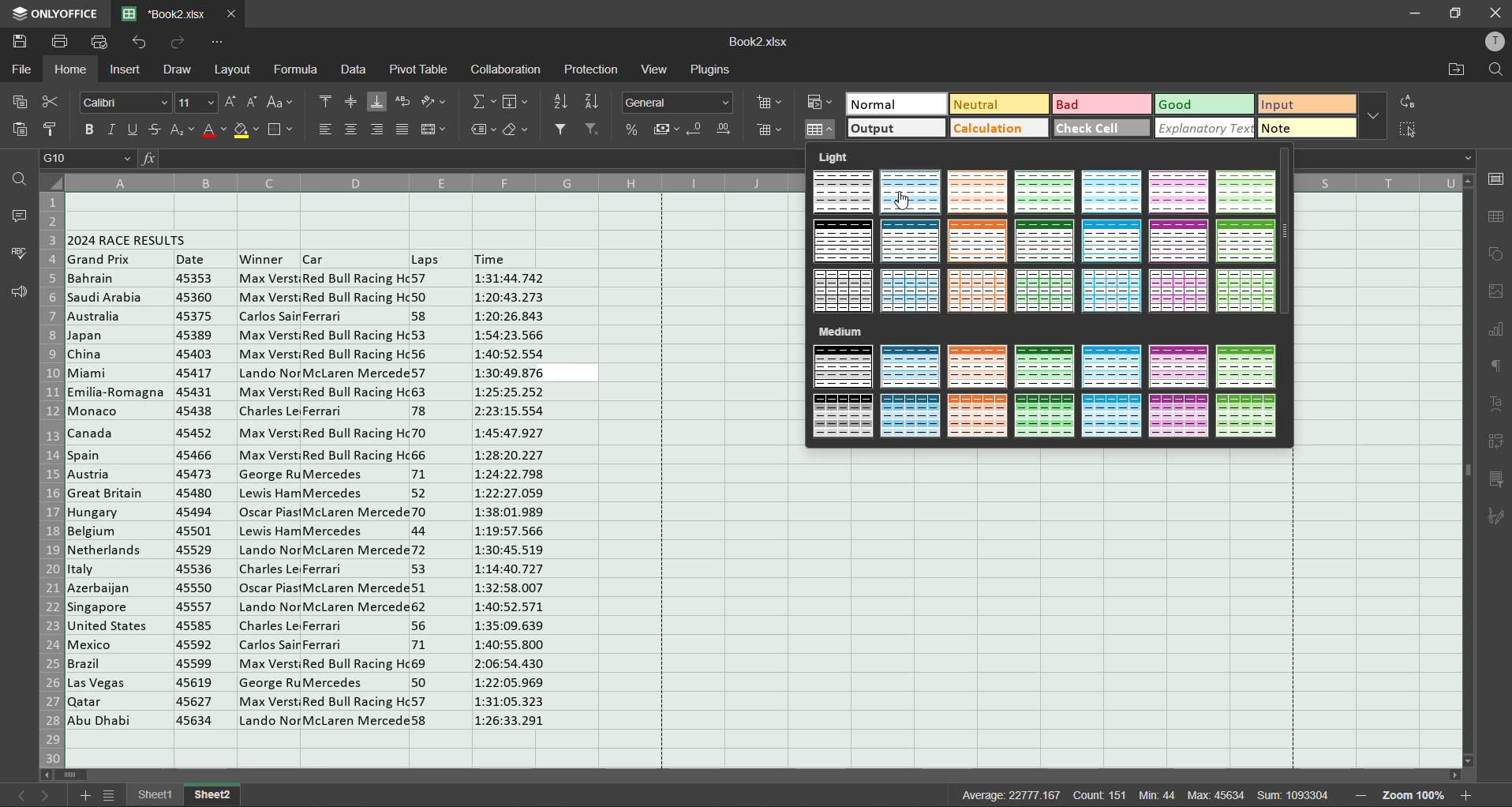  I want to click on slicer, so click(1497, 479).